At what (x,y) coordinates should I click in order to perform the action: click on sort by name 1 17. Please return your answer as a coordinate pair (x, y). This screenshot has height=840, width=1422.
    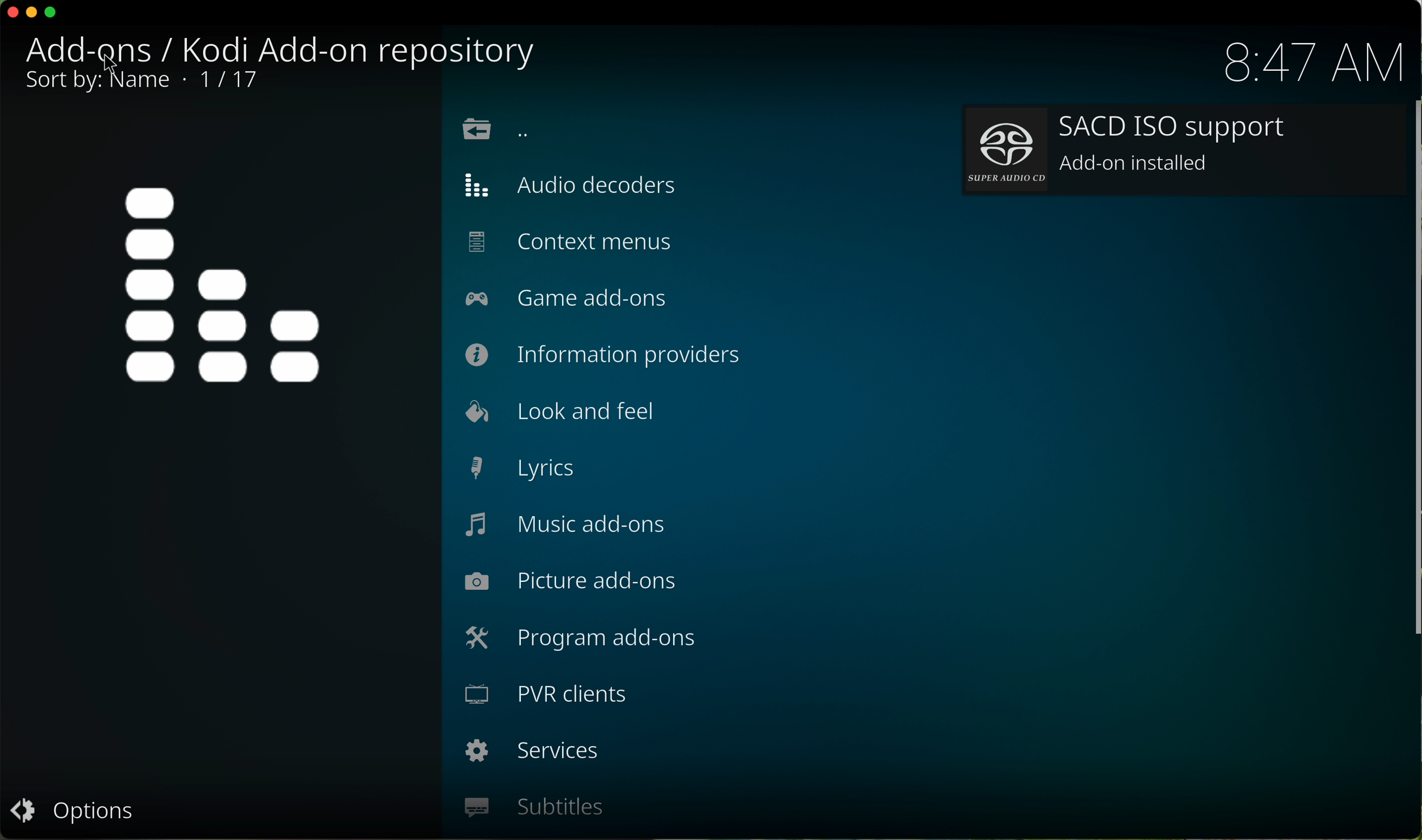
    Looking at the image, I should click on (145, 85).